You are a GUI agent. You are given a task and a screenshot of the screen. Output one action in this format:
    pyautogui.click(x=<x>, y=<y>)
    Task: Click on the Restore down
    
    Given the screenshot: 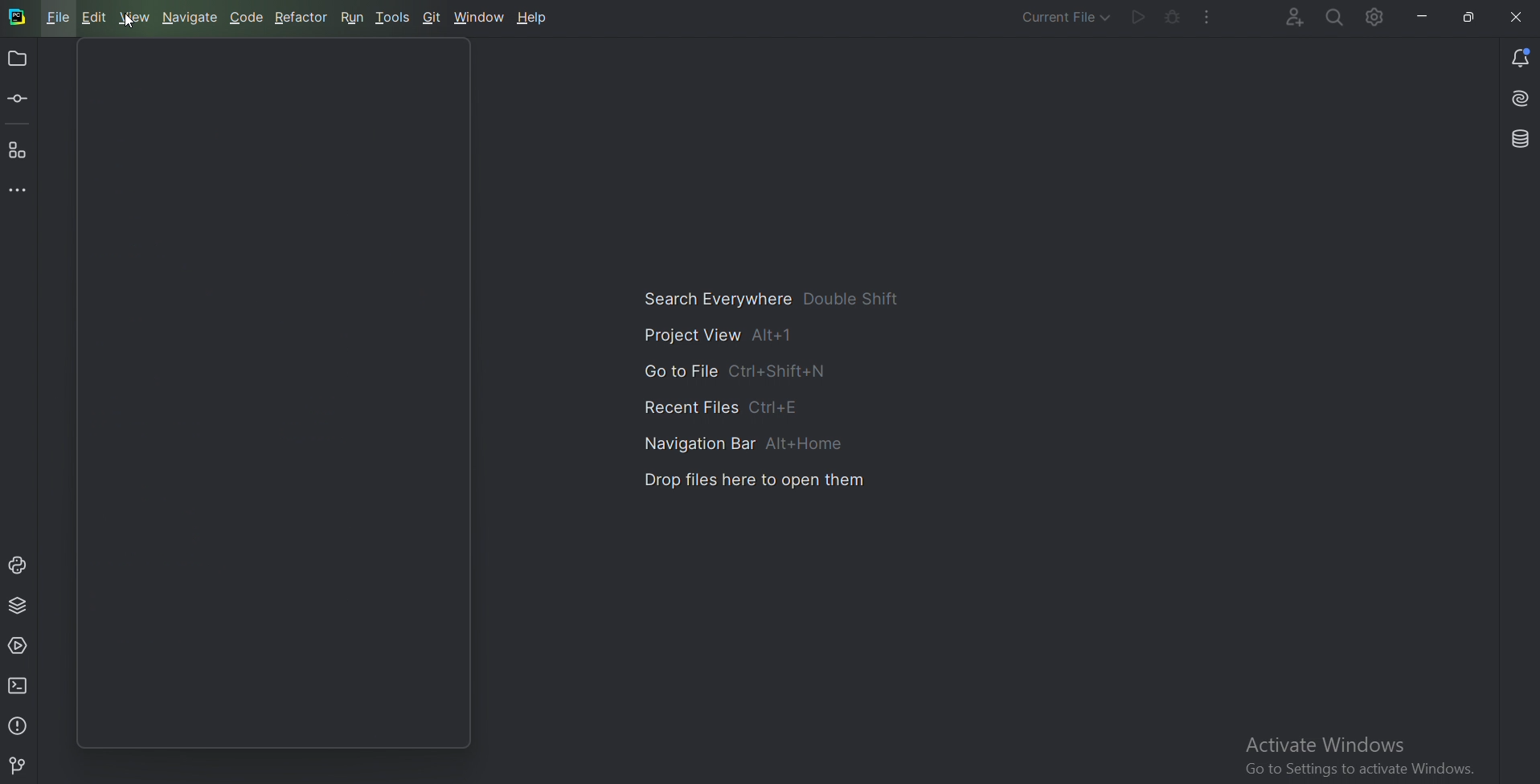 What is the action you would take?
    pyautogui.click(x=1468, y=18)
    